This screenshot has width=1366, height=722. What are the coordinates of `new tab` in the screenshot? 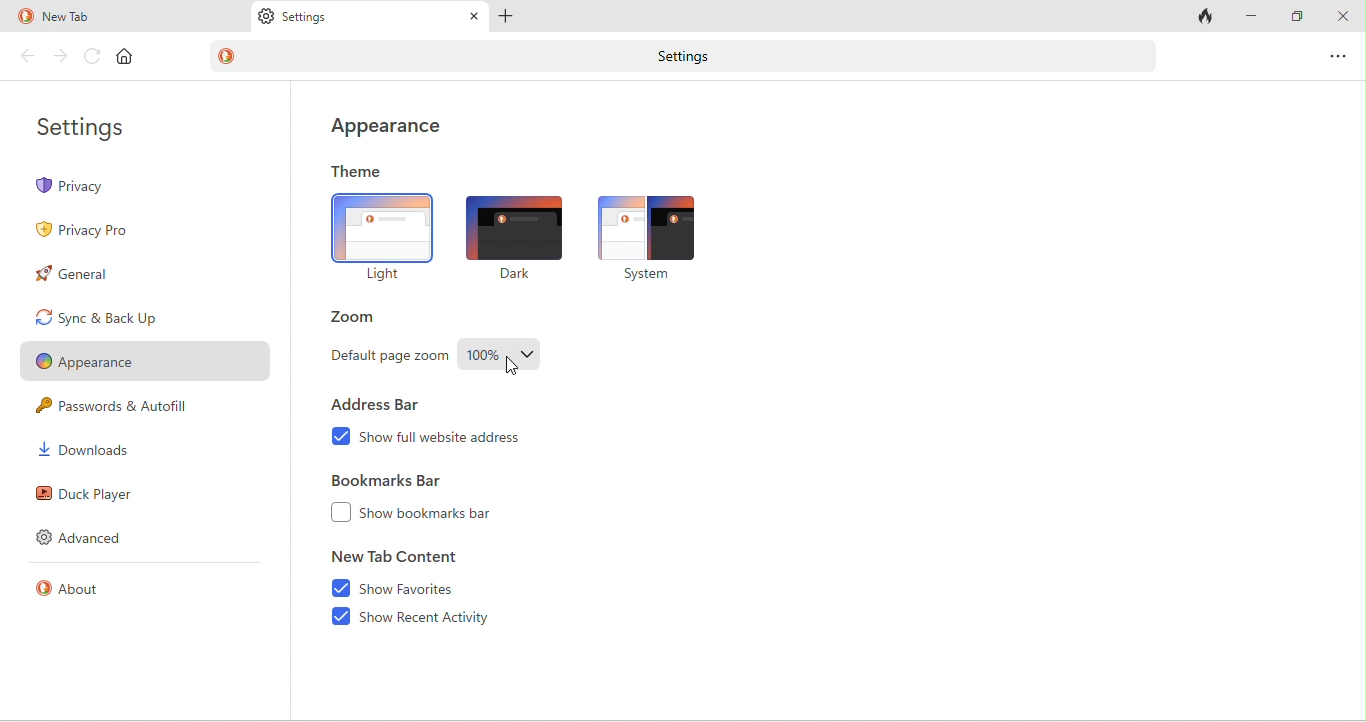 It's located at (98, 18).